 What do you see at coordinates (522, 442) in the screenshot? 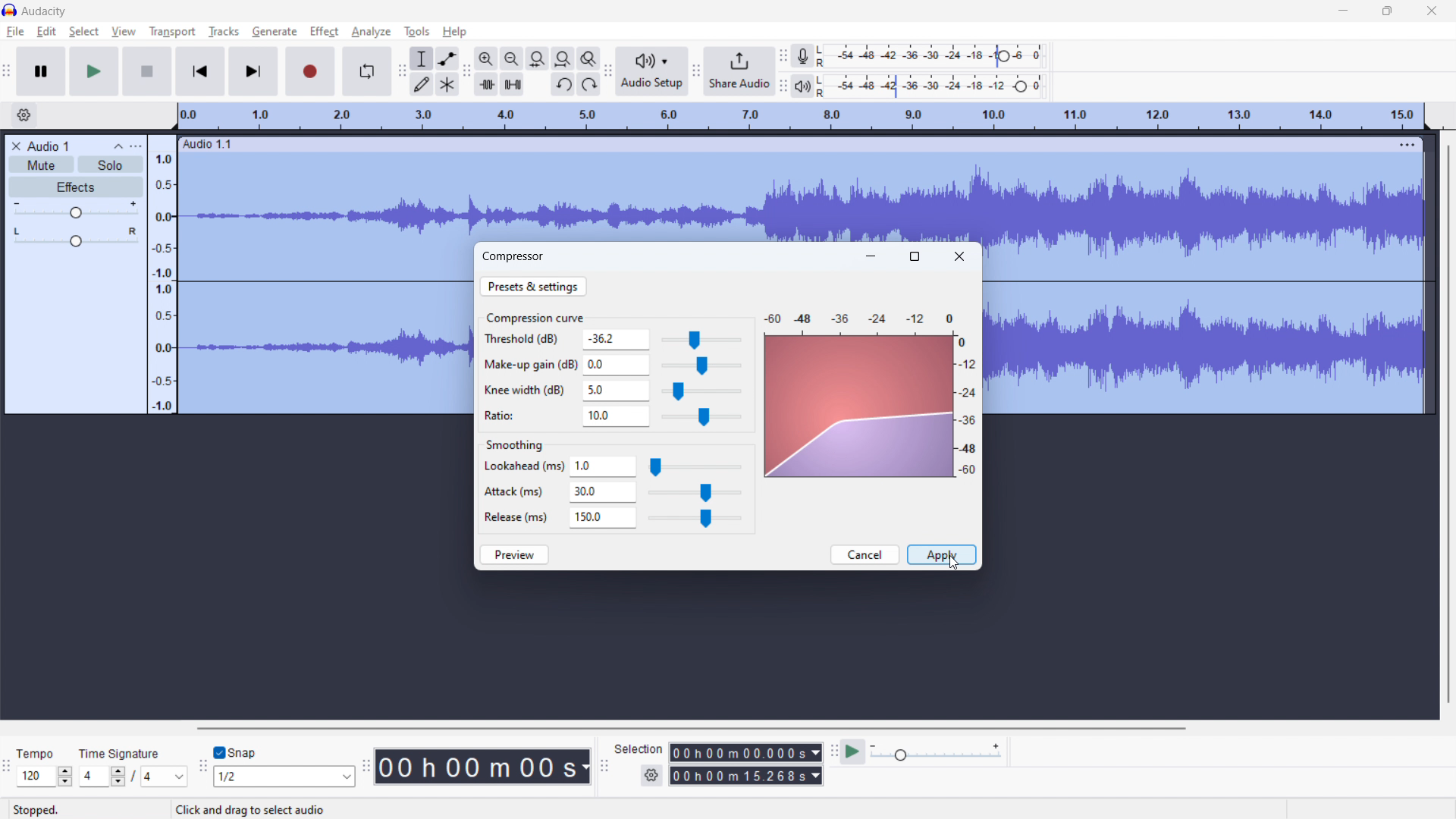
I see ` Soothing` at bounding box center [522, 442].